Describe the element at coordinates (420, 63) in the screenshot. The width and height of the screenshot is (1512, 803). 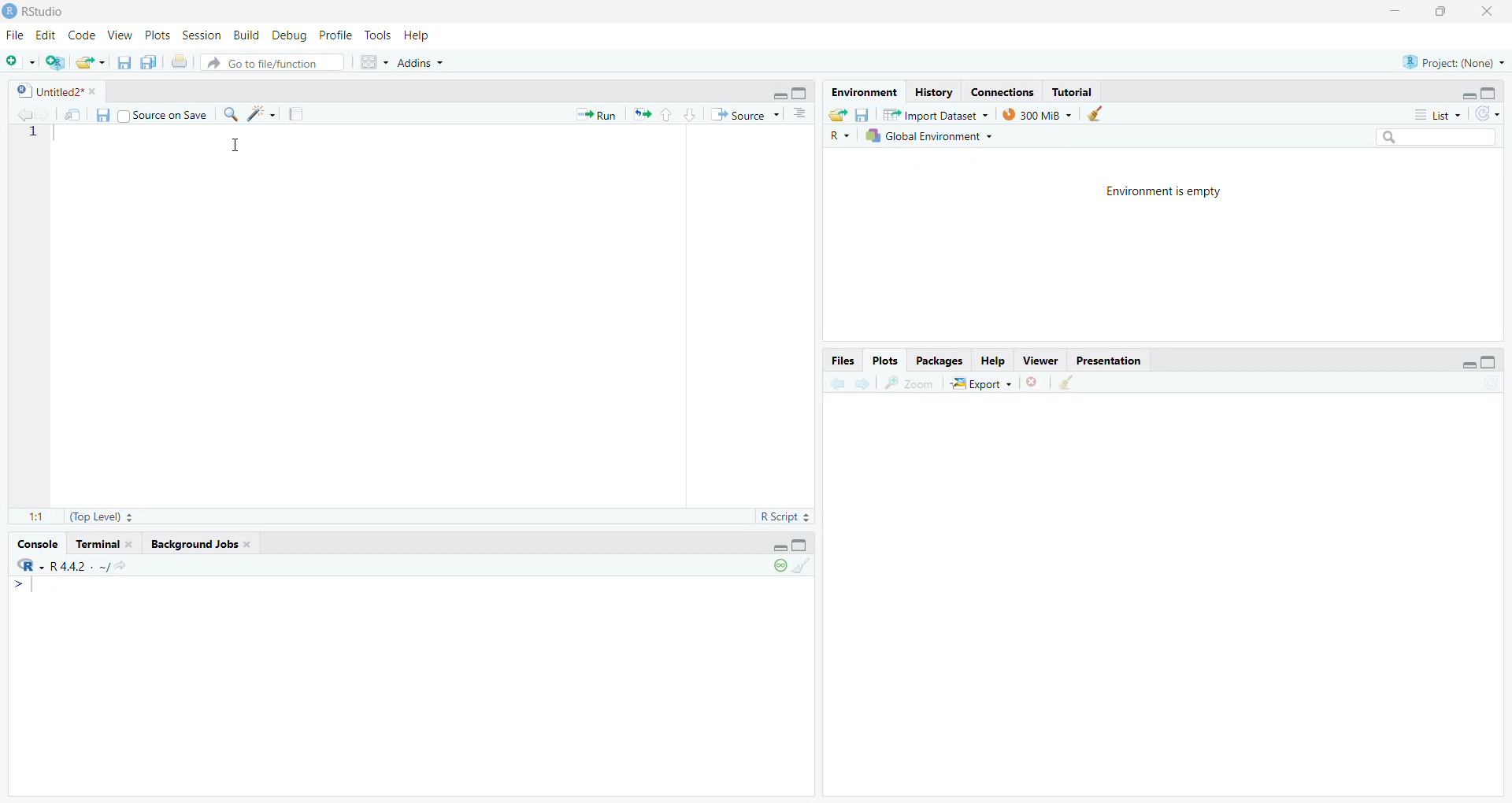
I see `Addins ` at that location.